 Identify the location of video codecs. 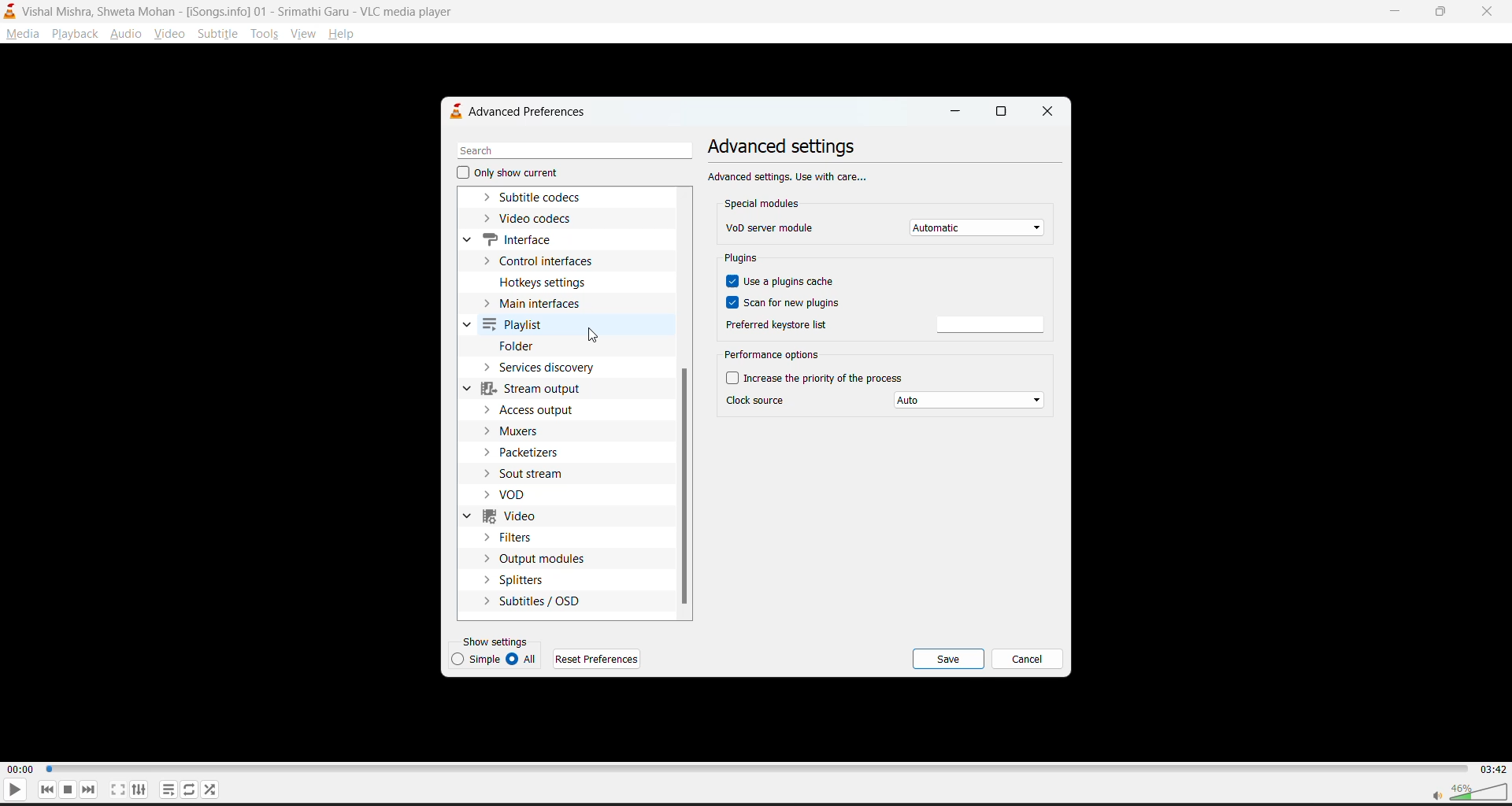
(539, 220).